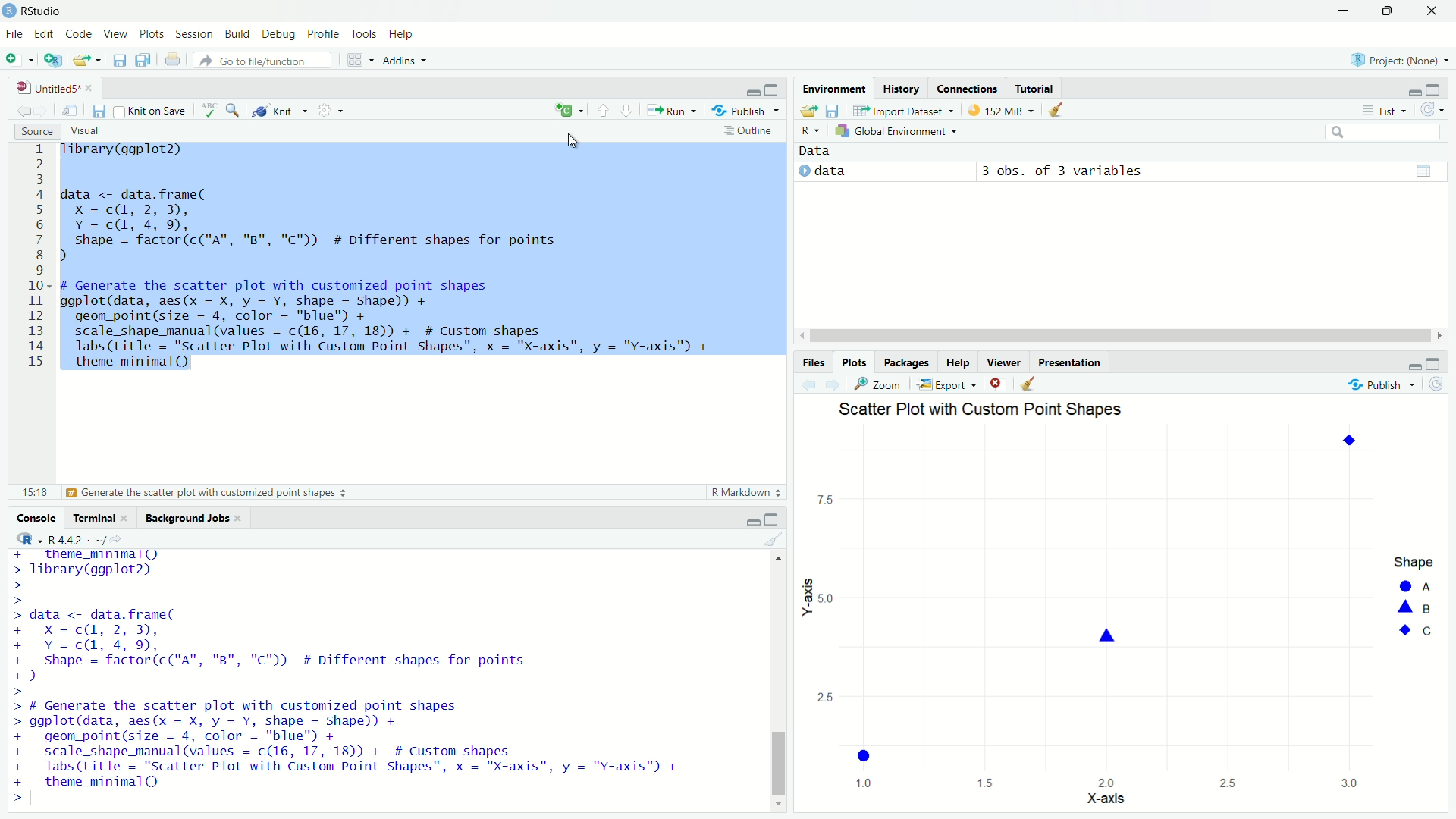 Image resolution: width=1456 pixels, height=819 pixels. Describe the element at coordinates (366, 679) in the screenshot. I see `+ theme_minimall)

> Tibrary(ggplot2)

>

>

> data <- data. frame(

+ X=c@, 2, 3),

+ Y=c@, 4, 9,

+ Shape = factor(c("A", "B", "C"™)) # Different shapes for points
+)

>

> # Generate the scatter plot with customized point shapes

> ggplot(data, aes(x = X, y = Y, shape = Shape)) +

+ geom_point(size = 4, color = "blue" +

+ scale_shape_manual(values = c(16, 17, 18)) + # Custom shapes
+ labs(title = "Scatter Plot with Custom Point Shapes", x = "X-axis", y = "Y-axis") +
+ theme_minimal()

>|` at that location.